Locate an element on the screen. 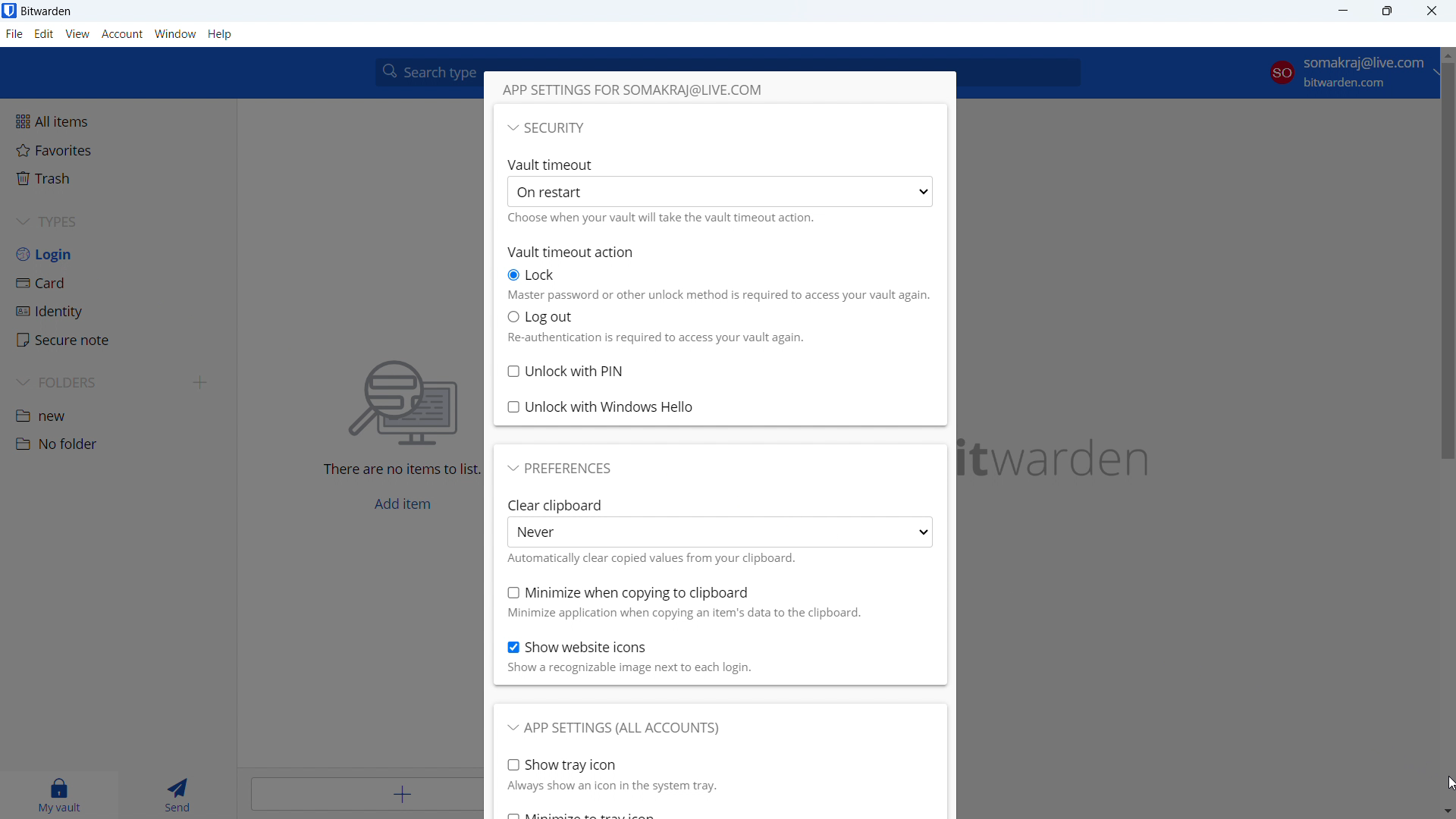 The image size is (1456, 819). all items is located at coordinates (117, 120).